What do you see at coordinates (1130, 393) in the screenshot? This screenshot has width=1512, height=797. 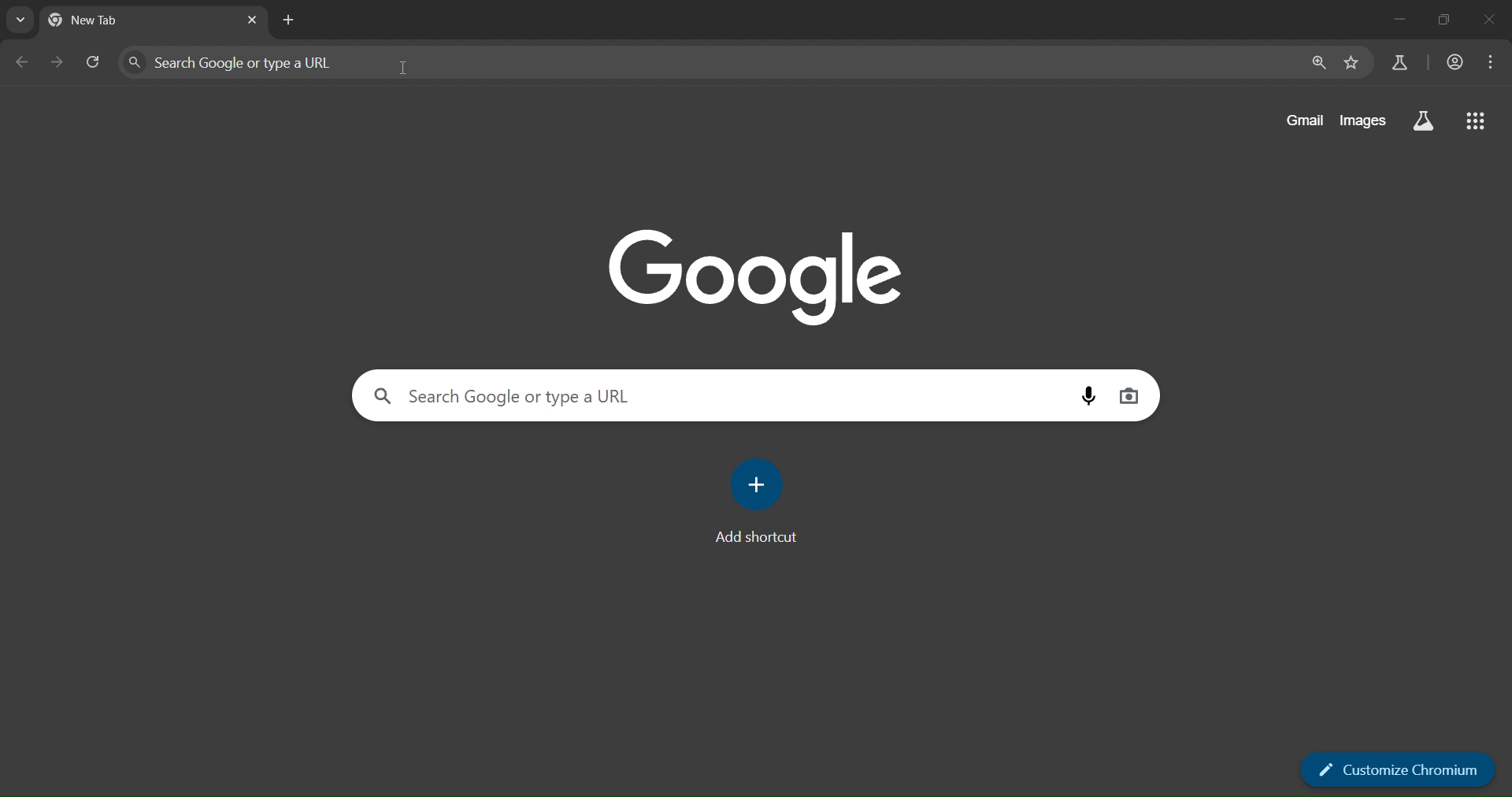 I see `image search` at bounding box center [1130, 393].